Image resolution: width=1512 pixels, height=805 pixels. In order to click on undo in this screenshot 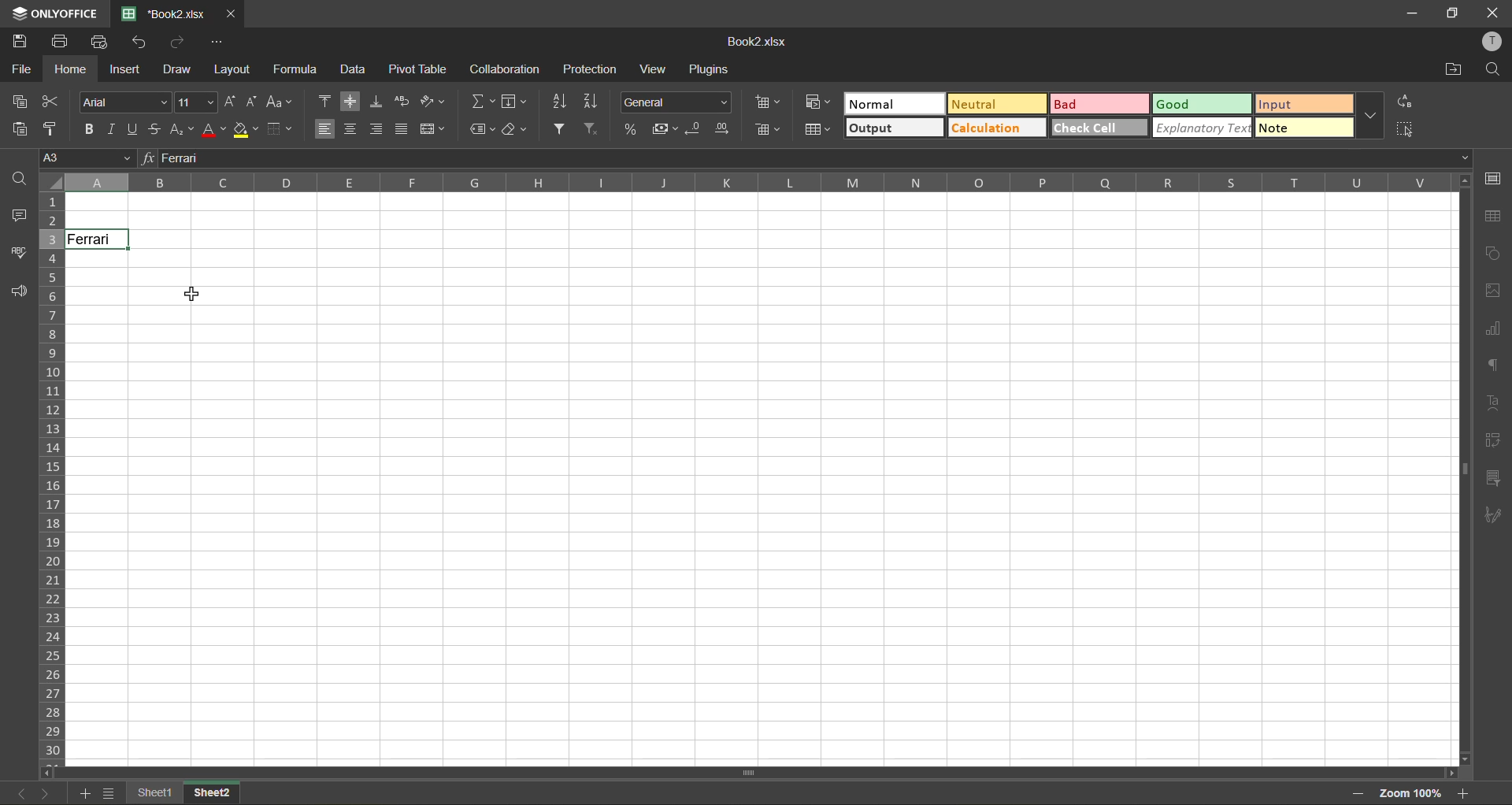, I will do `click(140, 43)`.